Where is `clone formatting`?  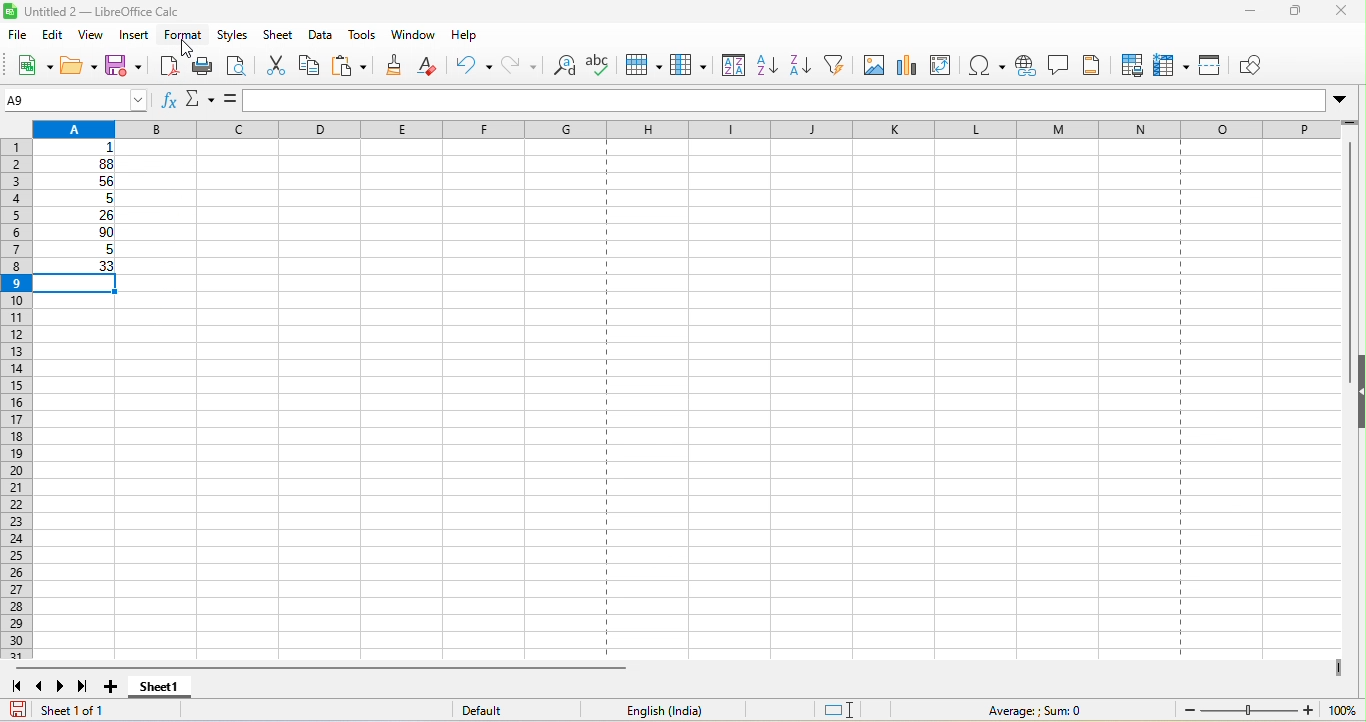 clone formatting is located at coordinates (396, 65).